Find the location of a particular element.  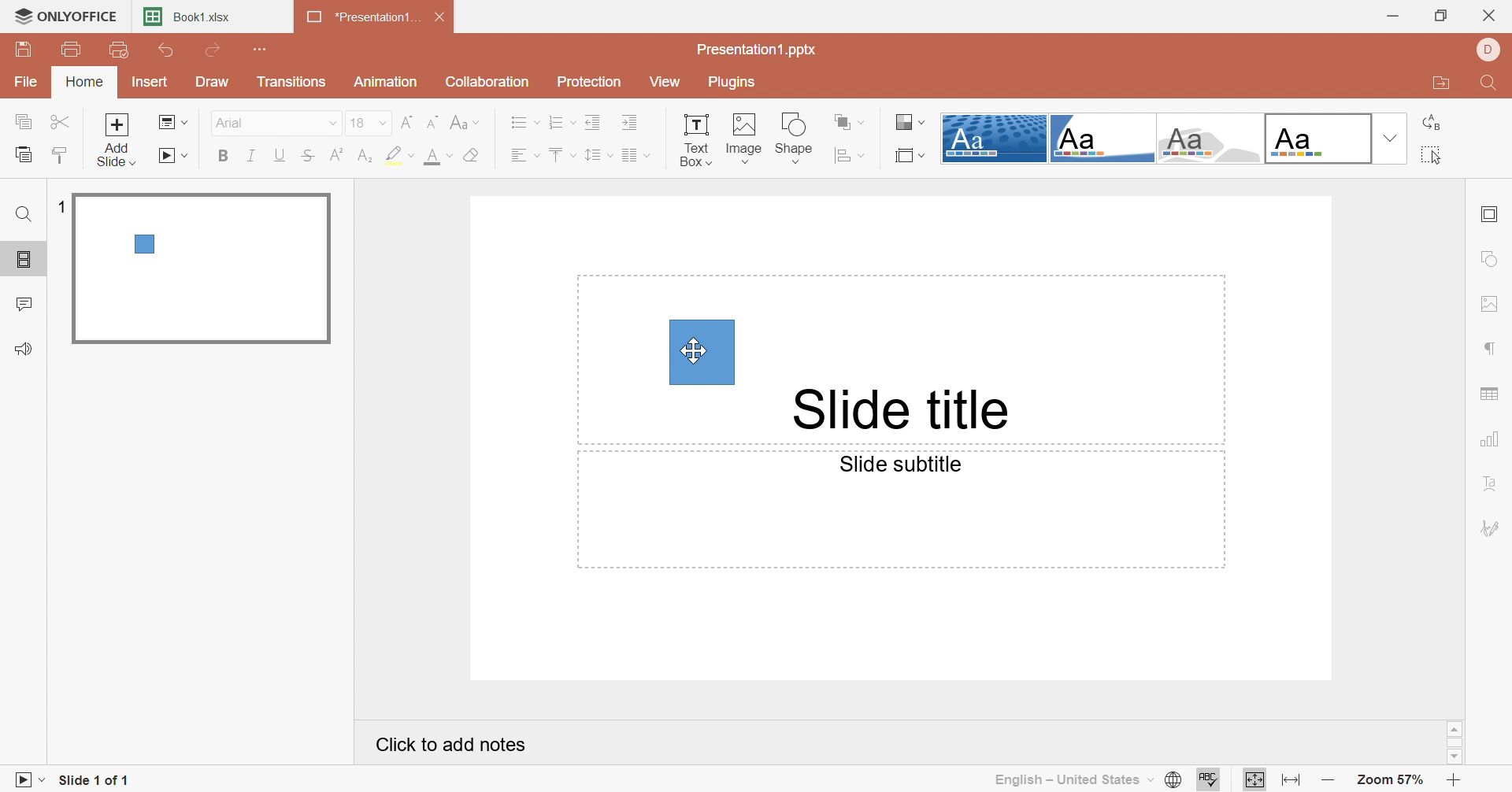

Image settings is located at coordinates (1492, 300).